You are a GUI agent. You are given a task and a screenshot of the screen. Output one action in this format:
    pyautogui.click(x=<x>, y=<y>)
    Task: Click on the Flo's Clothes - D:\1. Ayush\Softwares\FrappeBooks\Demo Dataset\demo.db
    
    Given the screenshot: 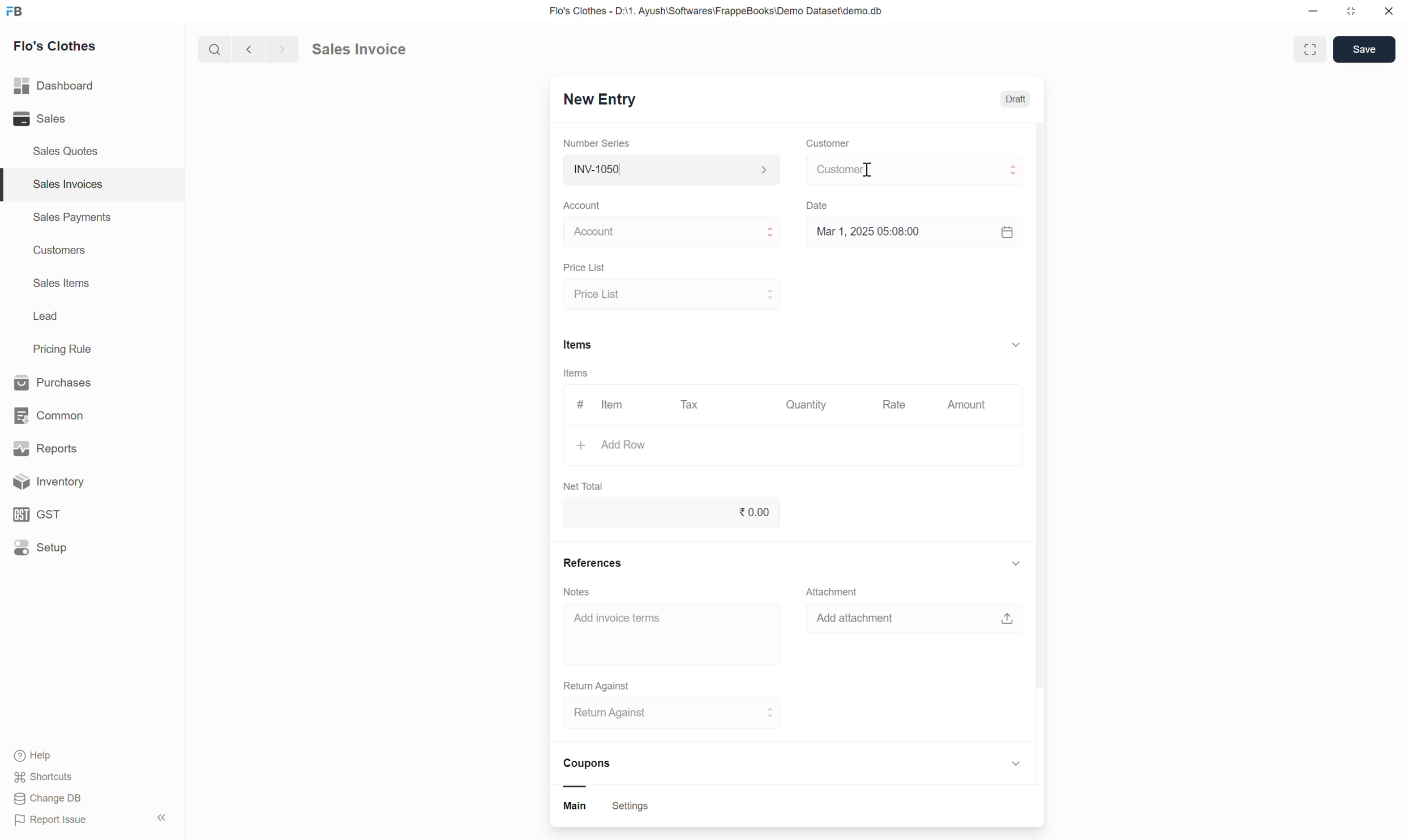 What is the action you would take?
    pyautogui.click(x=726, y=12)
    